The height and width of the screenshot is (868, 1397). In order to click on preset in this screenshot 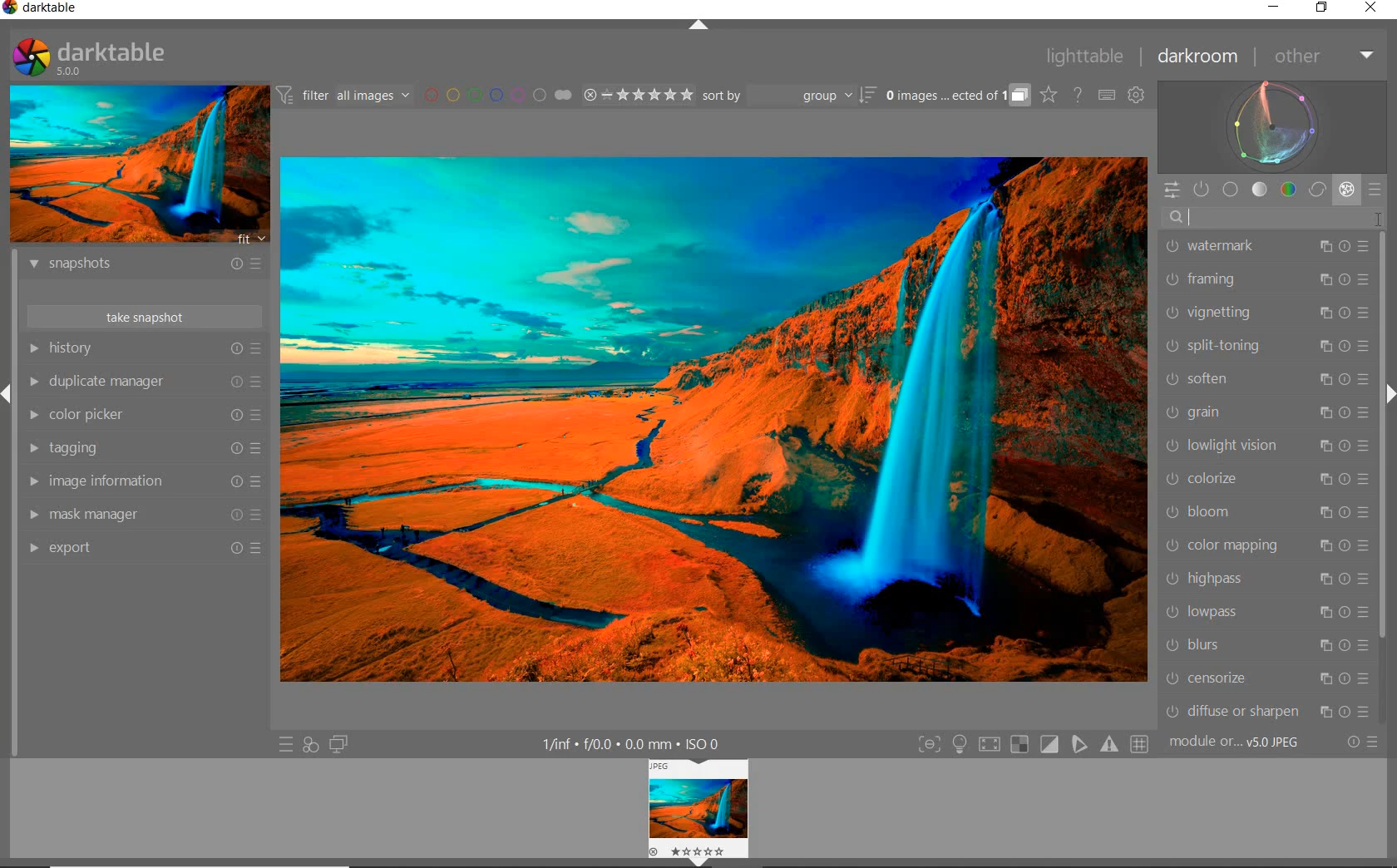, I will do `click(1376, 187)`.